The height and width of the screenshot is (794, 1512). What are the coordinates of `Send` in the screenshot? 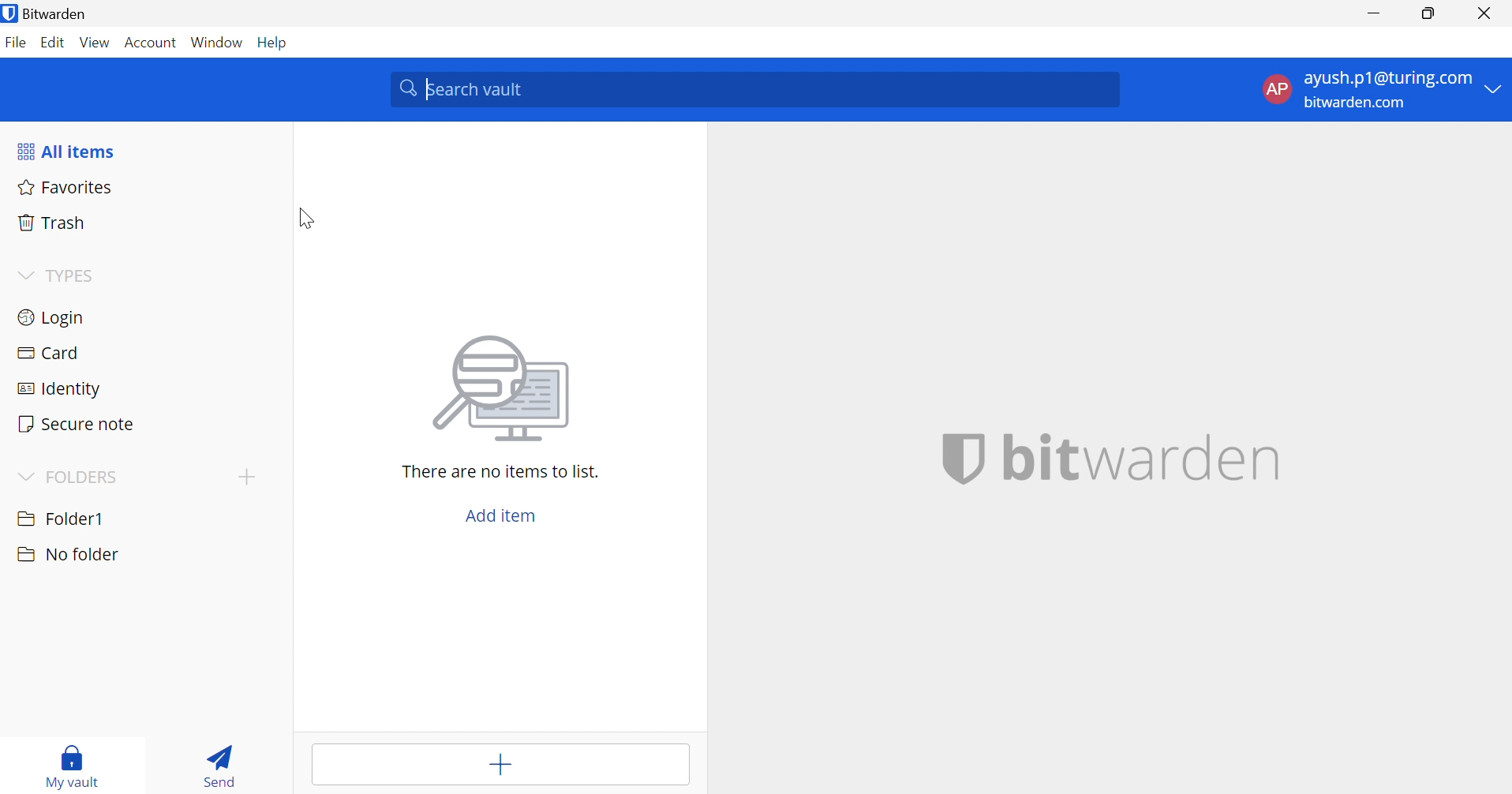 It's located at (223, 762).